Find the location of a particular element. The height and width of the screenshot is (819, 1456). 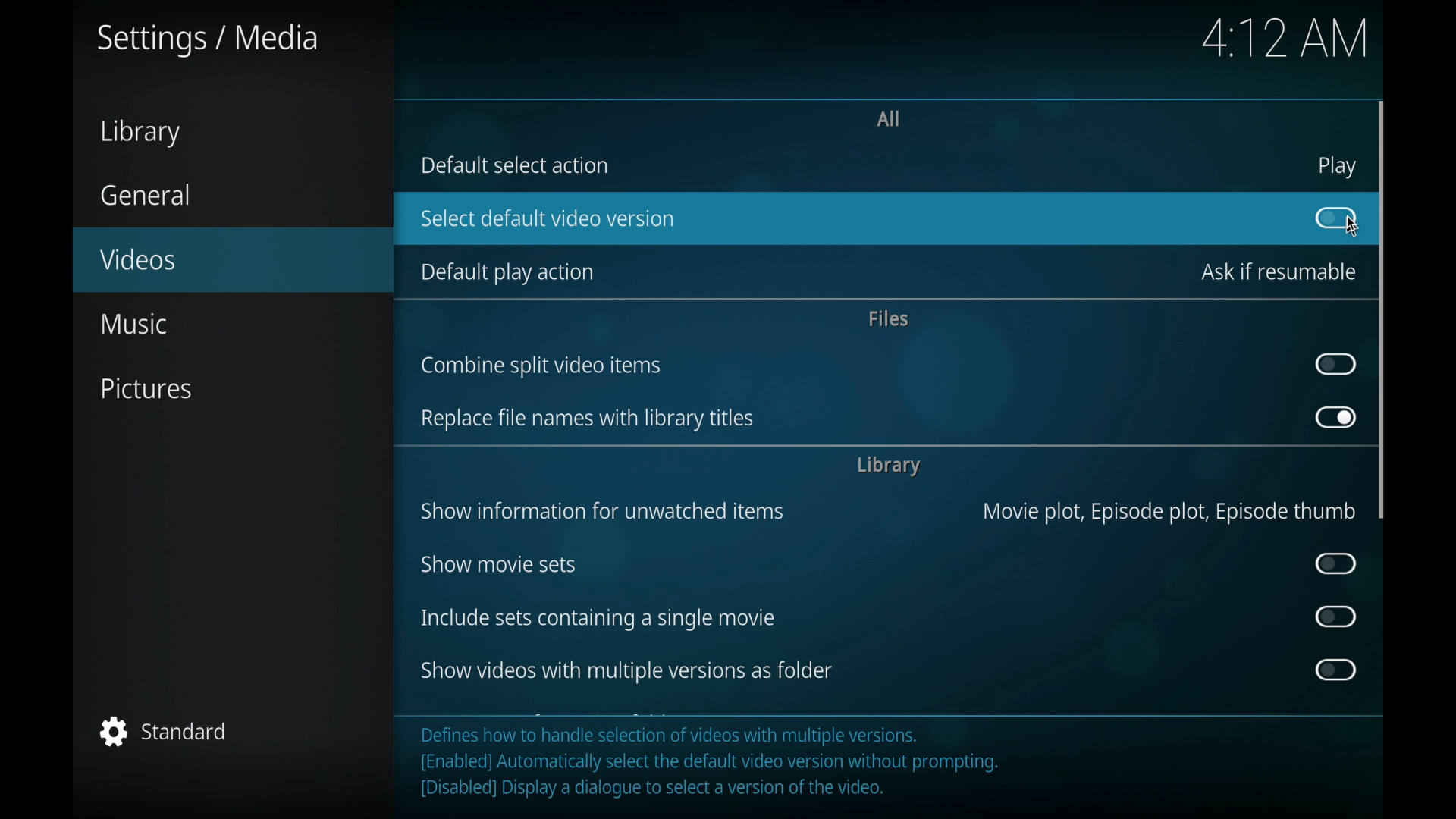

ask if resumable is located at coordinates (1279, 273).